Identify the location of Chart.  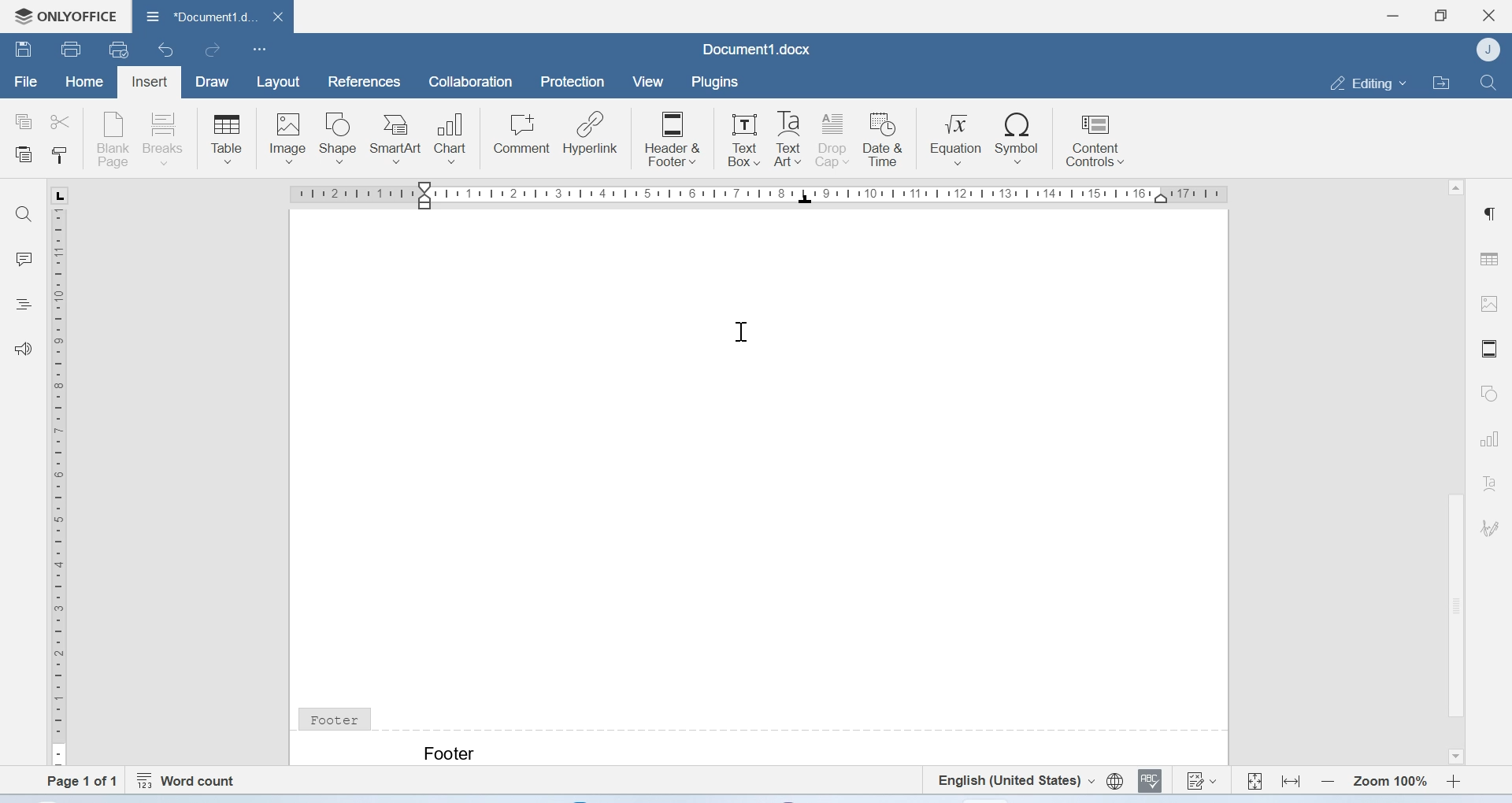
(456, 135).